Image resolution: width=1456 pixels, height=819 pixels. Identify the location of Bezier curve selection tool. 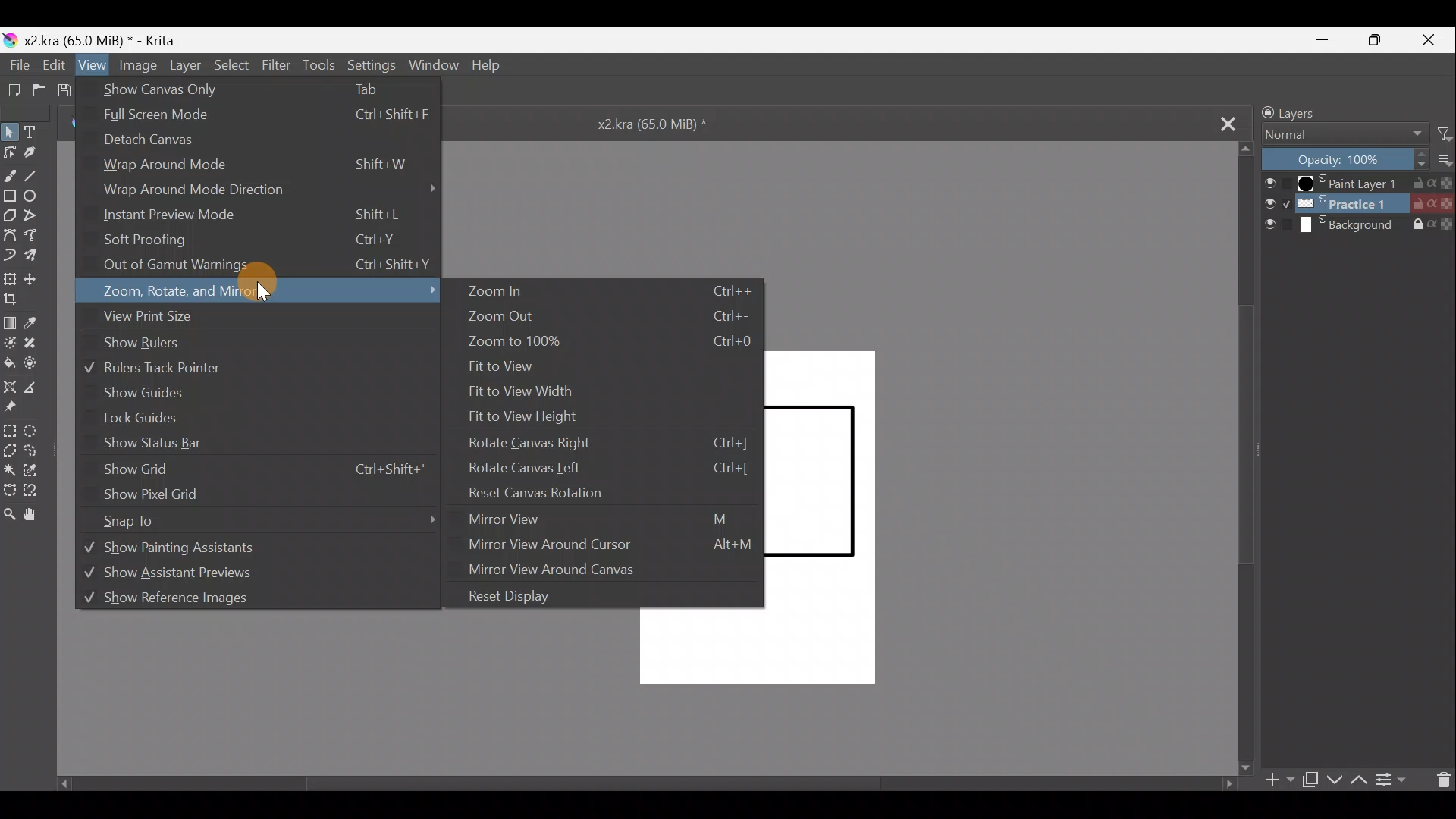
(13, 490).